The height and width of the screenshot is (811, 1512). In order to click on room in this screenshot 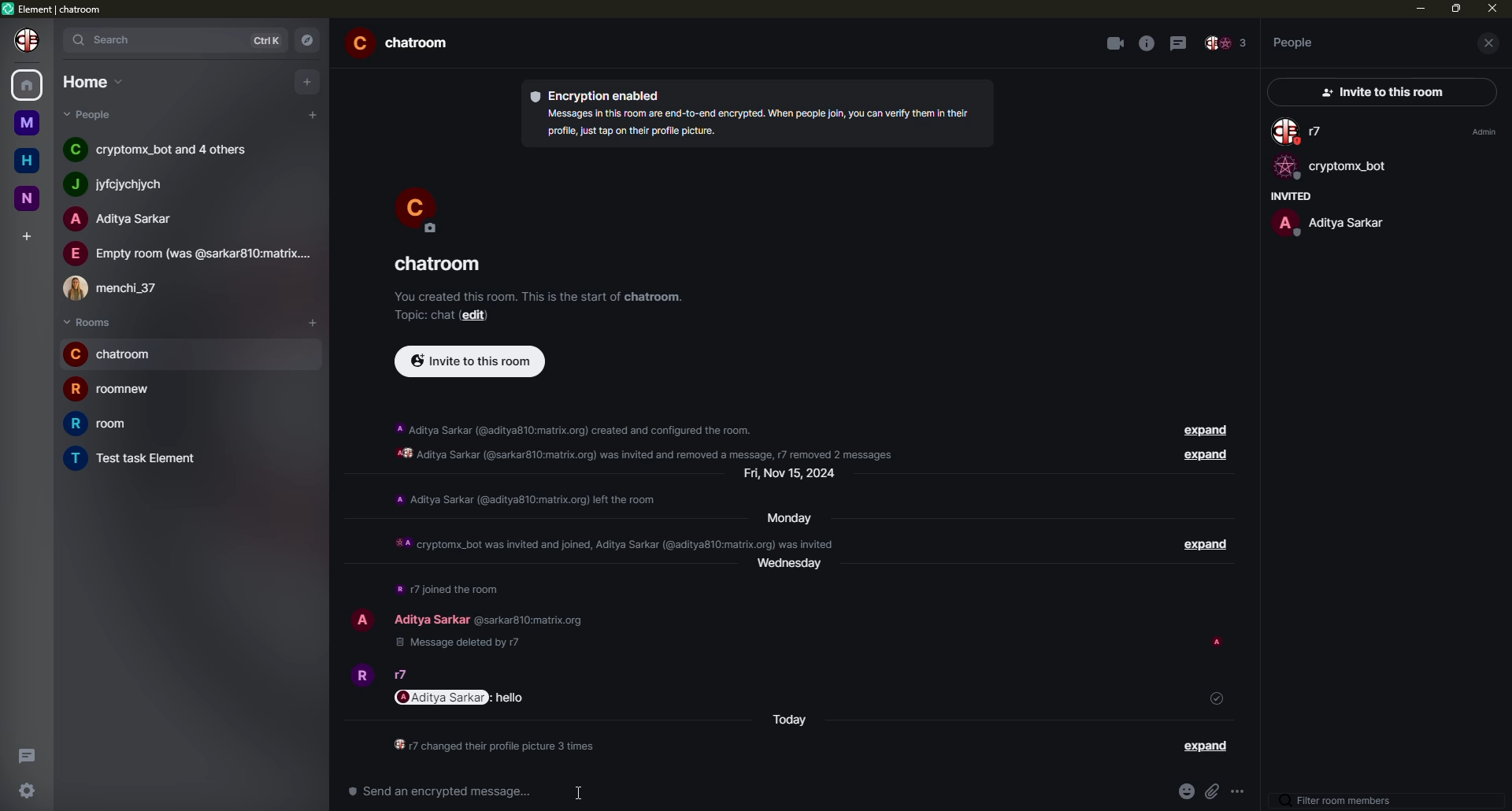, I will do `click(112, 387)`.